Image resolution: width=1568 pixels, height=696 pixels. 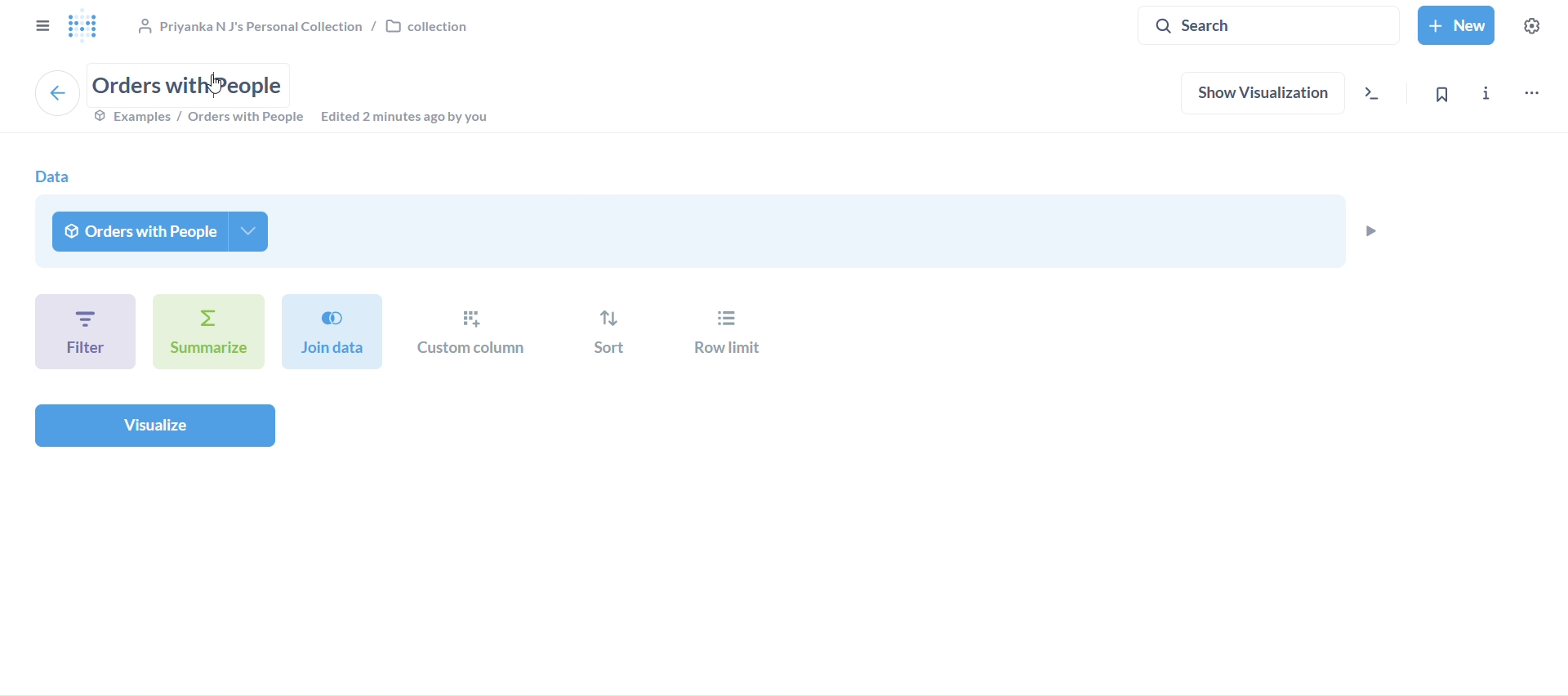 What do you see at coordinates (1269, 24) in the screenshot?
I see `search` at bounding box center [1269, 24].